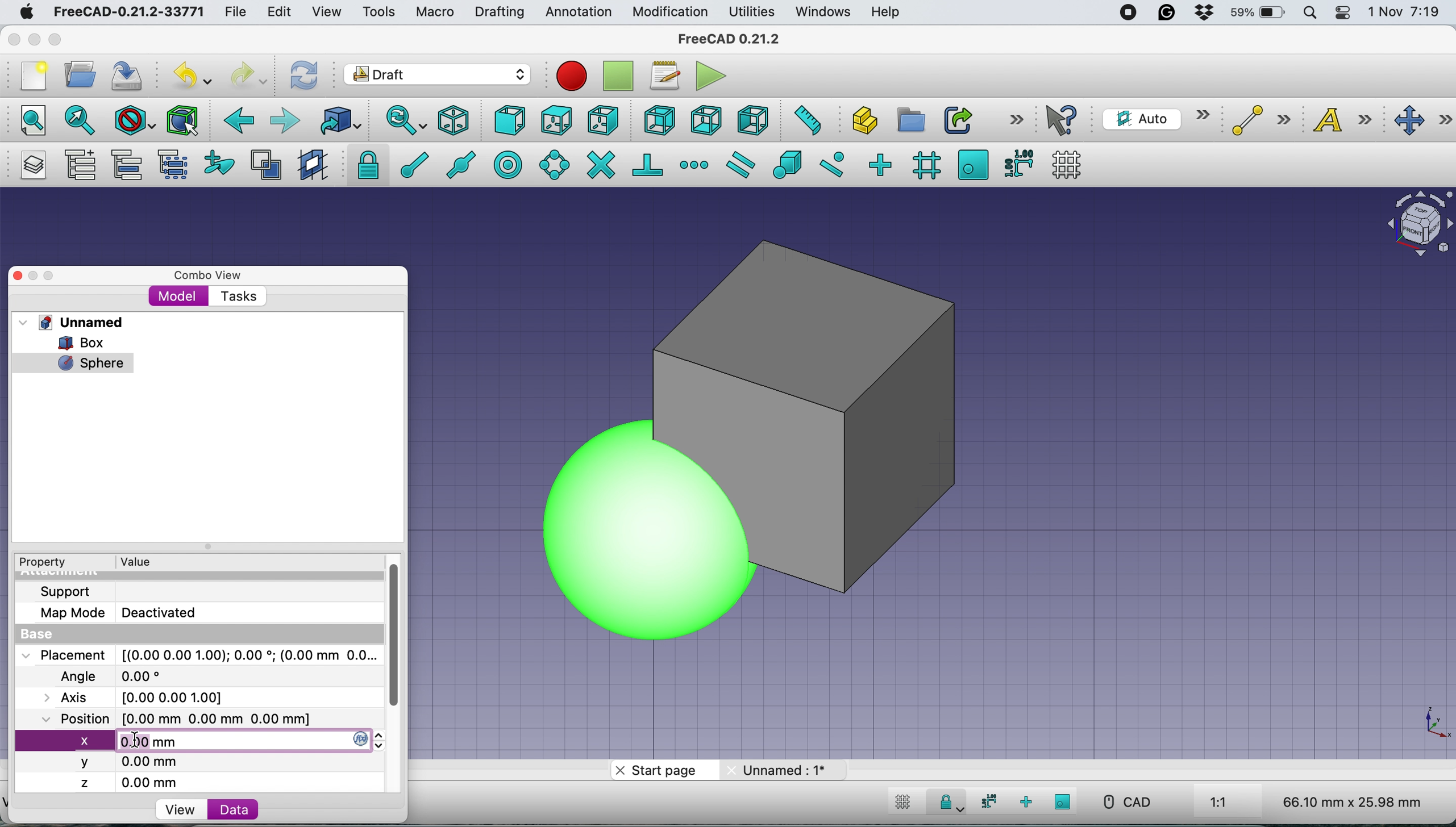  Describe the element at coordinates (600, 164) in the screenshot. I see `snap intersection` at that location.